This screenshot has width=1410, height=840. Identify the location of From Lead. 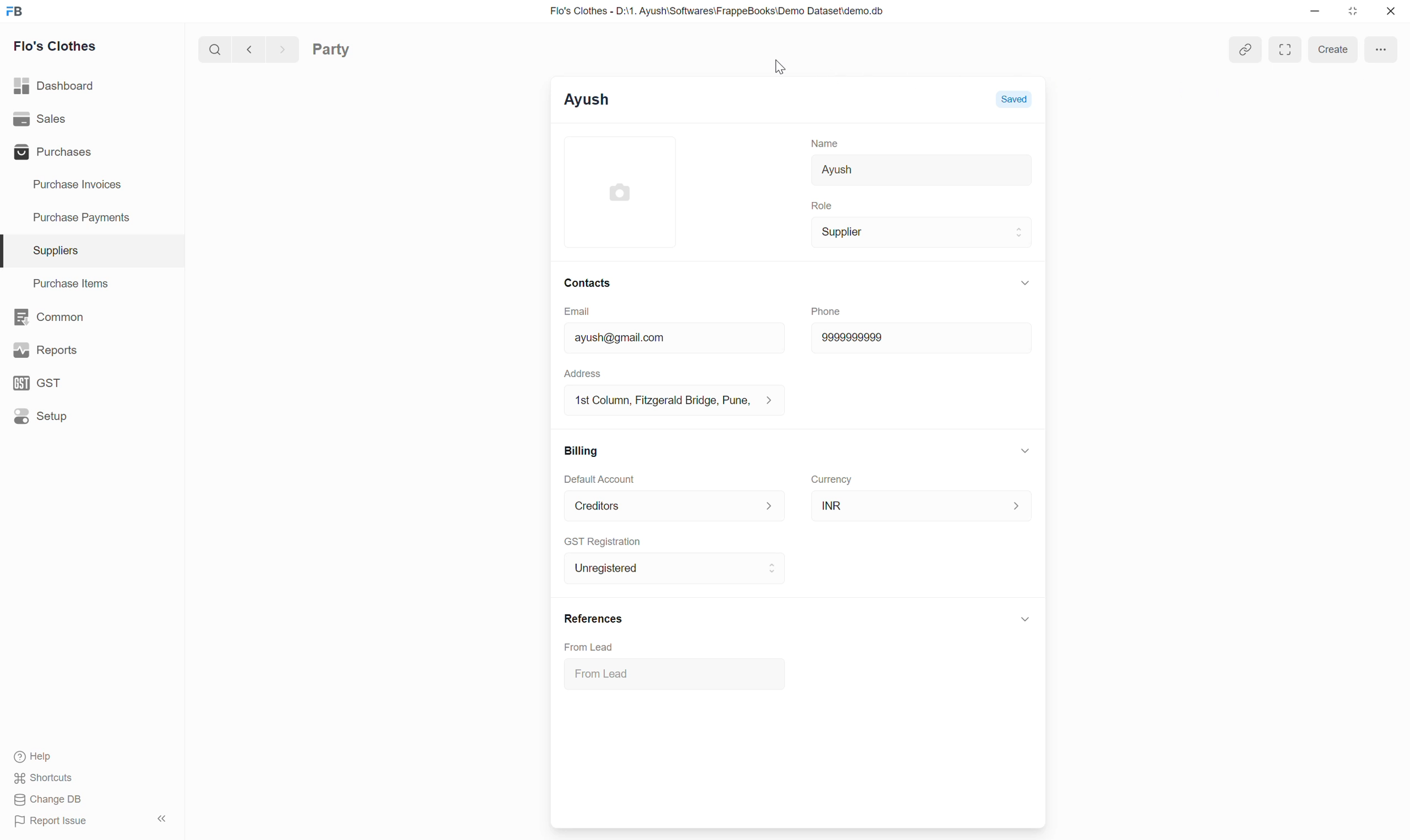
(588, 647).